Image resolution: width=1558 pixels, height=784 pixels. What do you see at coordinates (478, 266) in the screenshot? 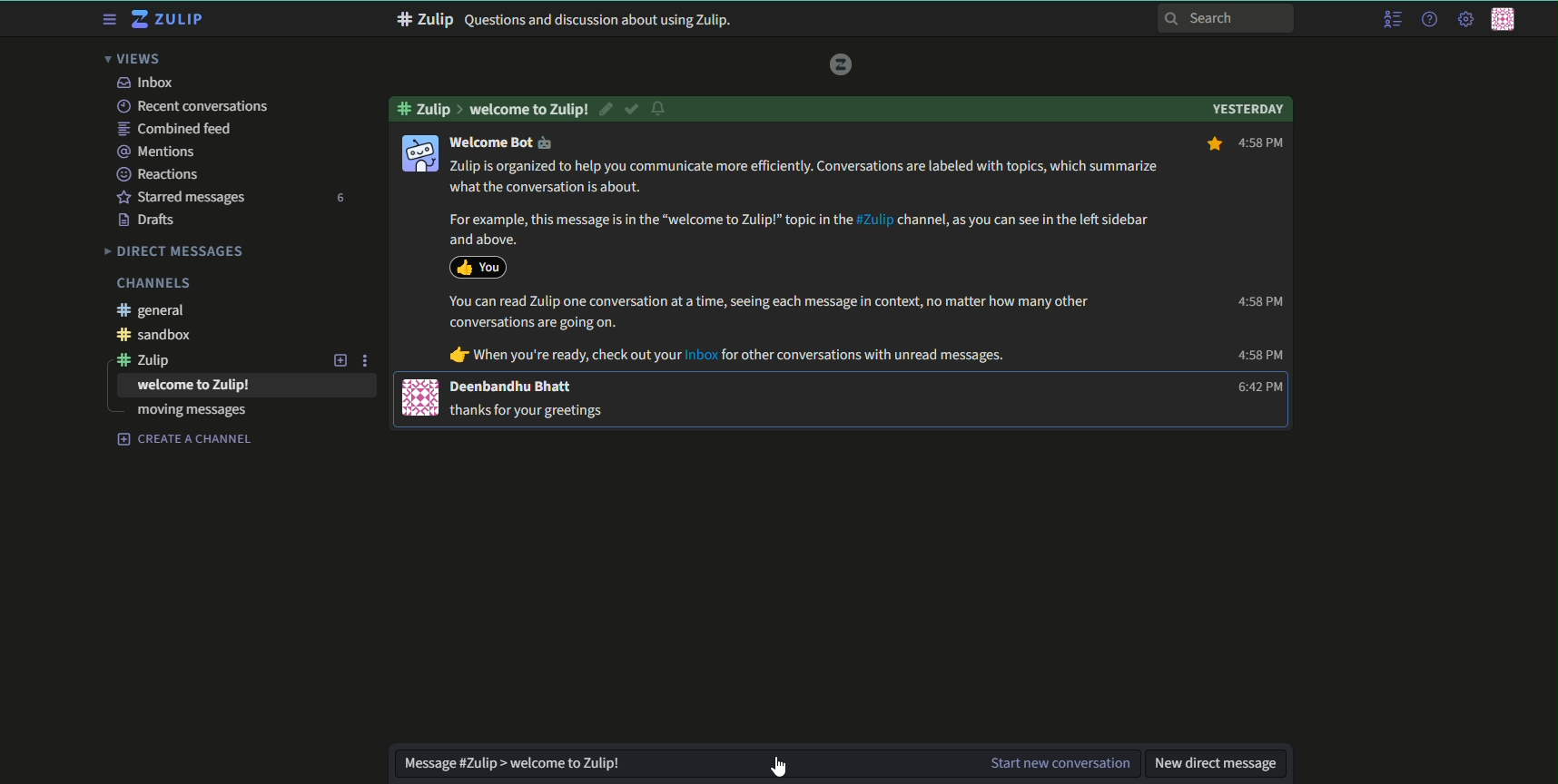
I see `icon` at bounding box center [478, 266].